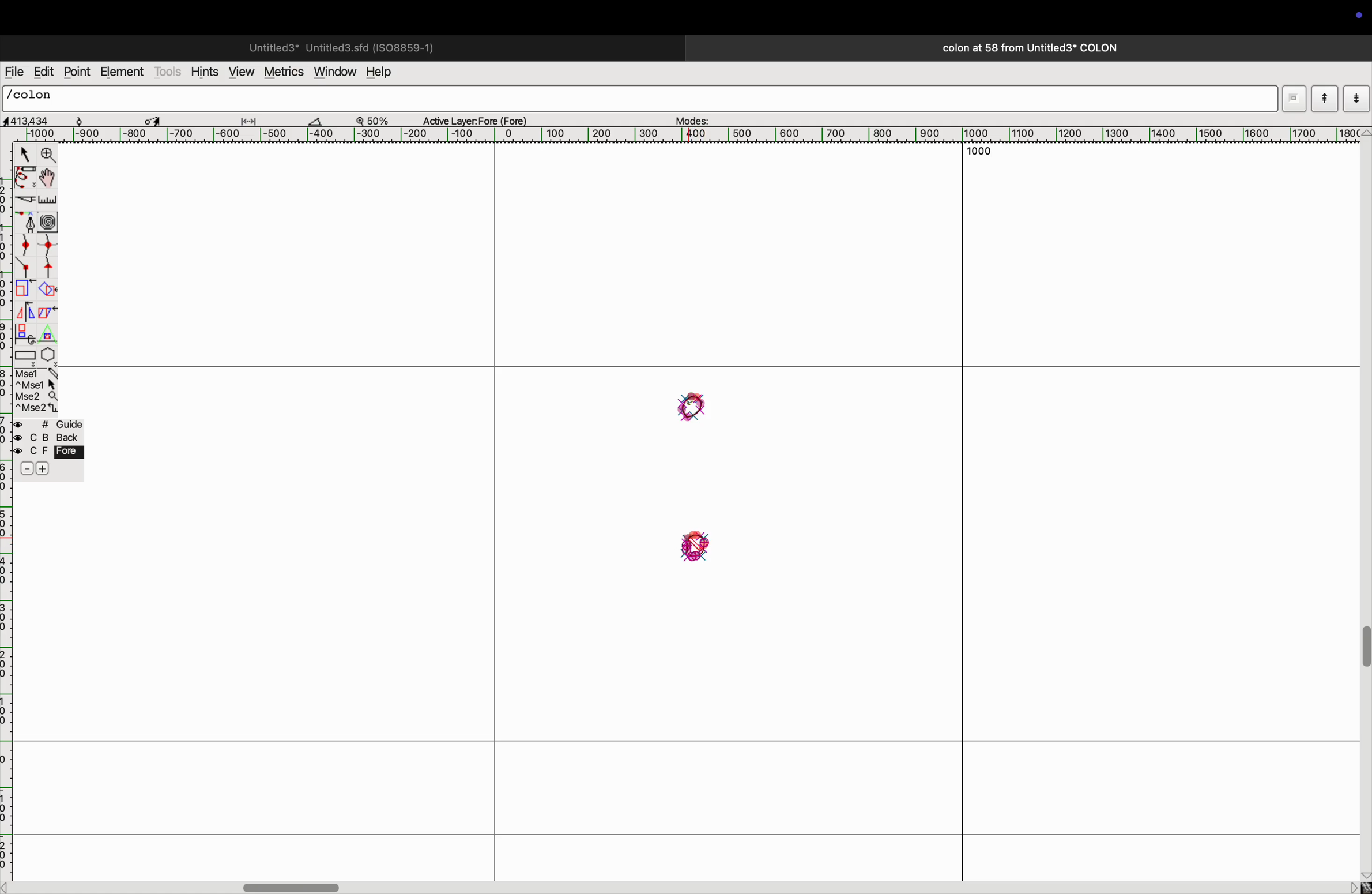 The height and width of the screenshot is (894, 1372). Describe the element at coordinates (39, 256) in the screenshot. I see `spline` at that location.